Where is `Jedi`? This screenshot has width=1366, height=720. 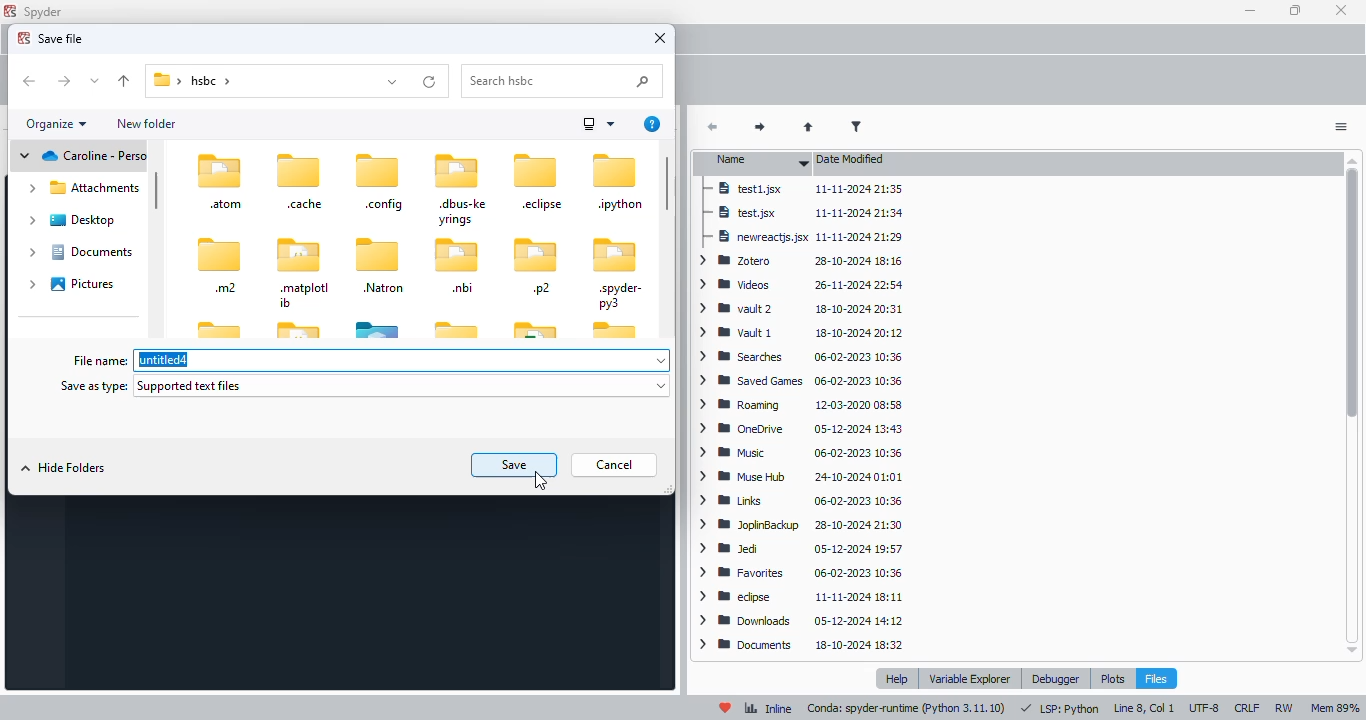 Jedi is located at coordinates (735, 549).